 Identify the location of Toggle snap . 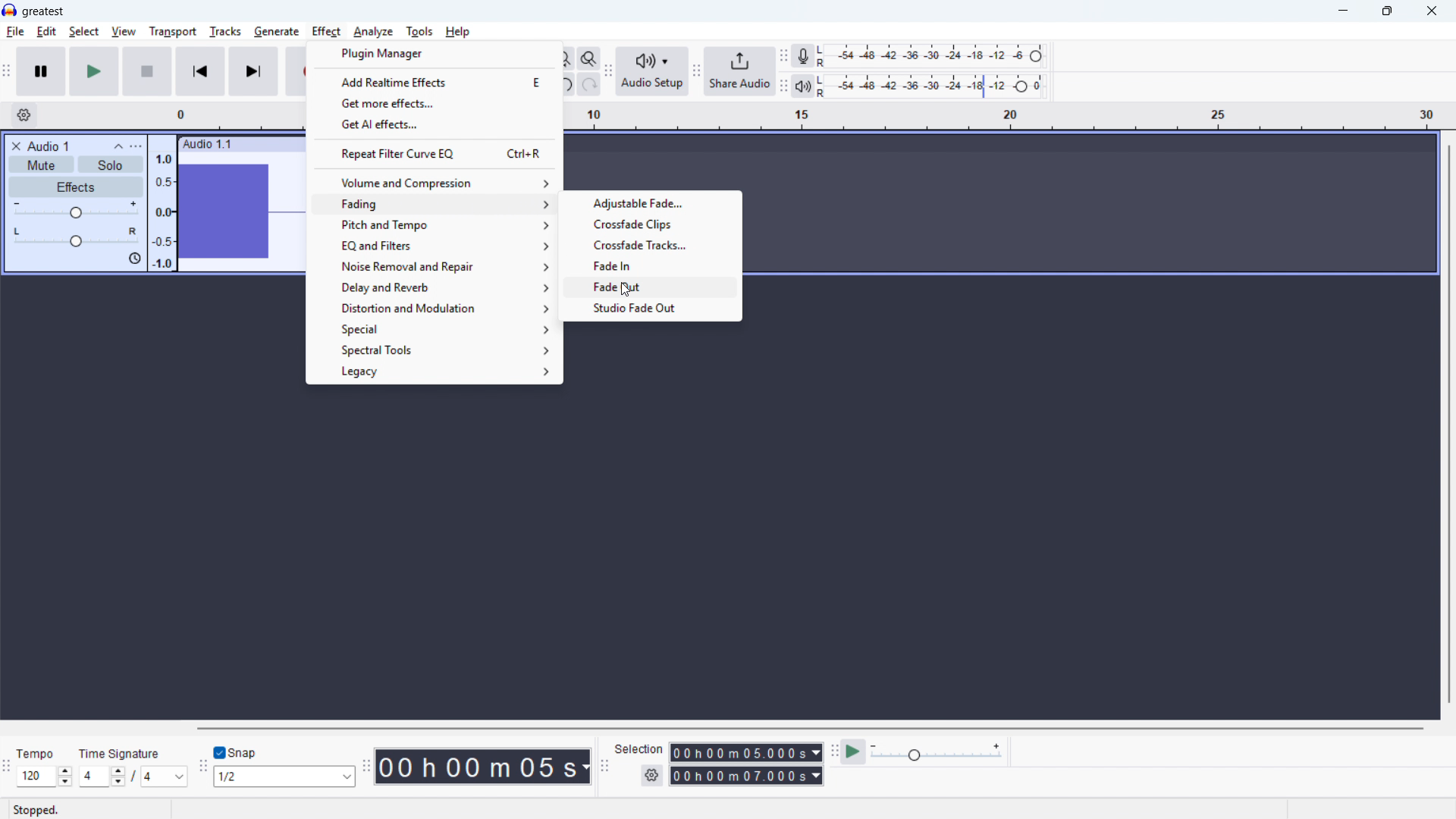
(238, 752).